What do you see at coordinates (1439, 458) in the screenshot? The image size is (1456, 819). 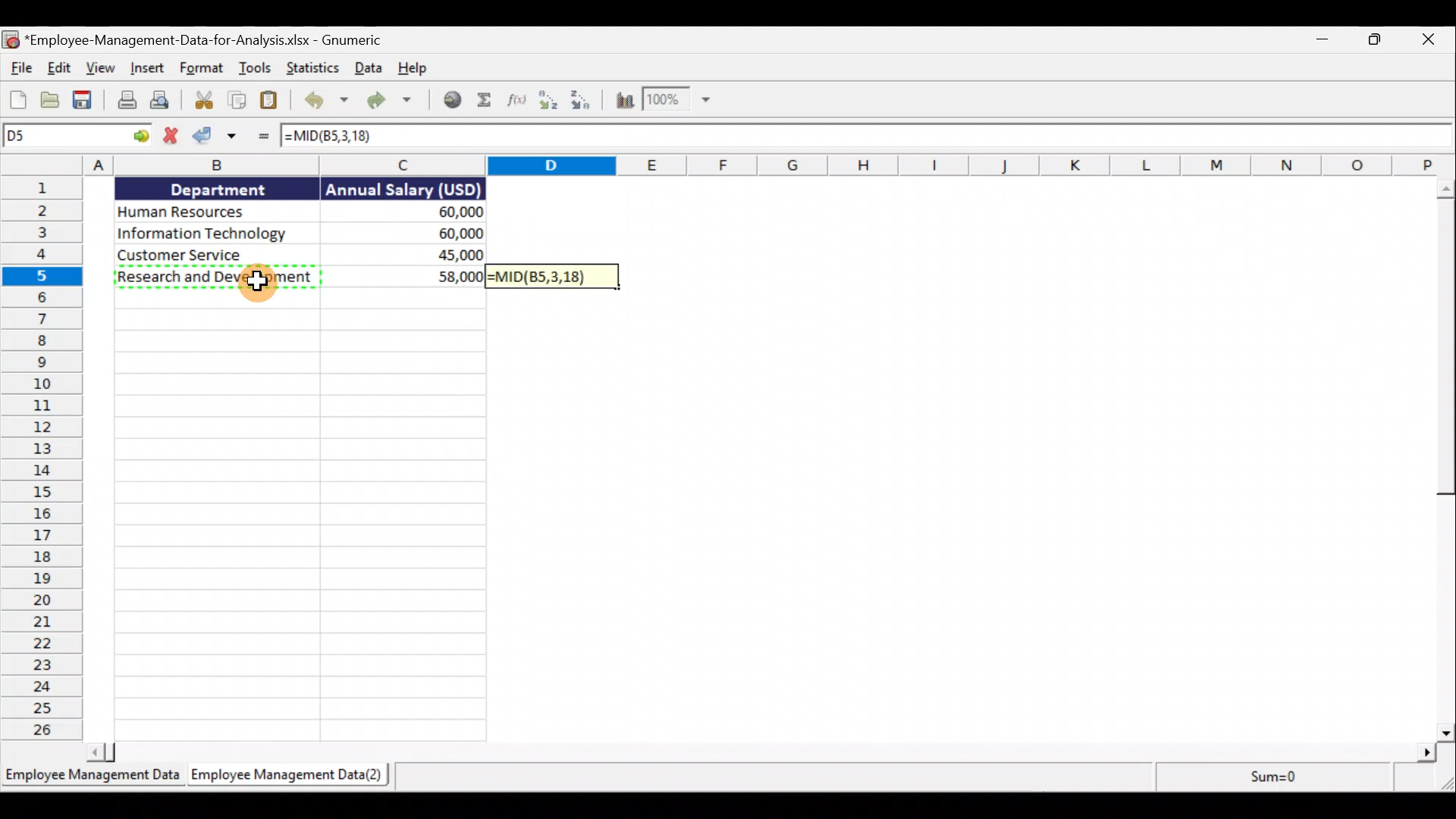 I see `Scroll bar` at bounding box center [1439, 458].